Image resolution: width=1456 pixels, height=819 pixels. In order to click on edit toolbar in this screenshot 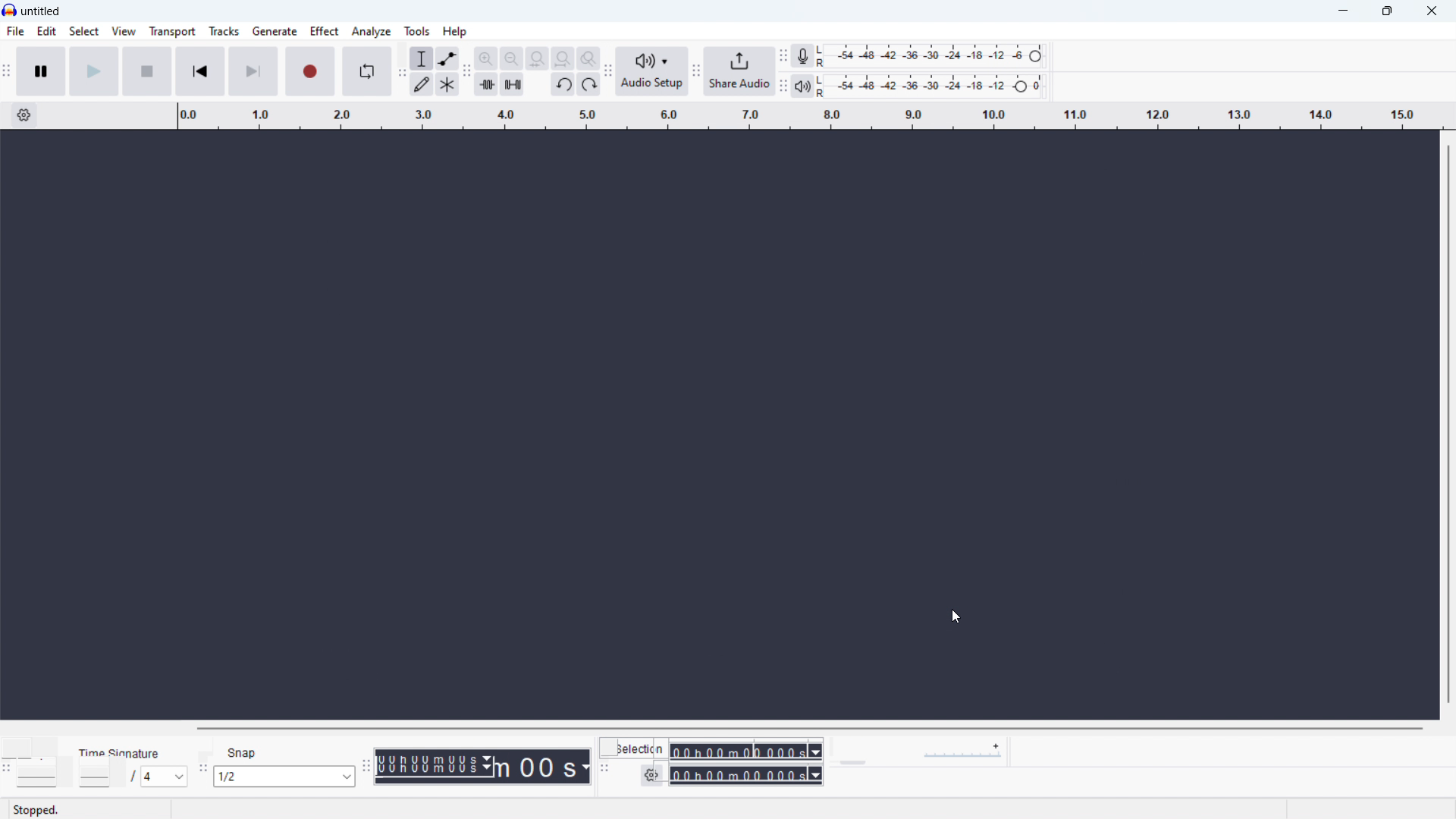, I will do `click(466, 74)`.